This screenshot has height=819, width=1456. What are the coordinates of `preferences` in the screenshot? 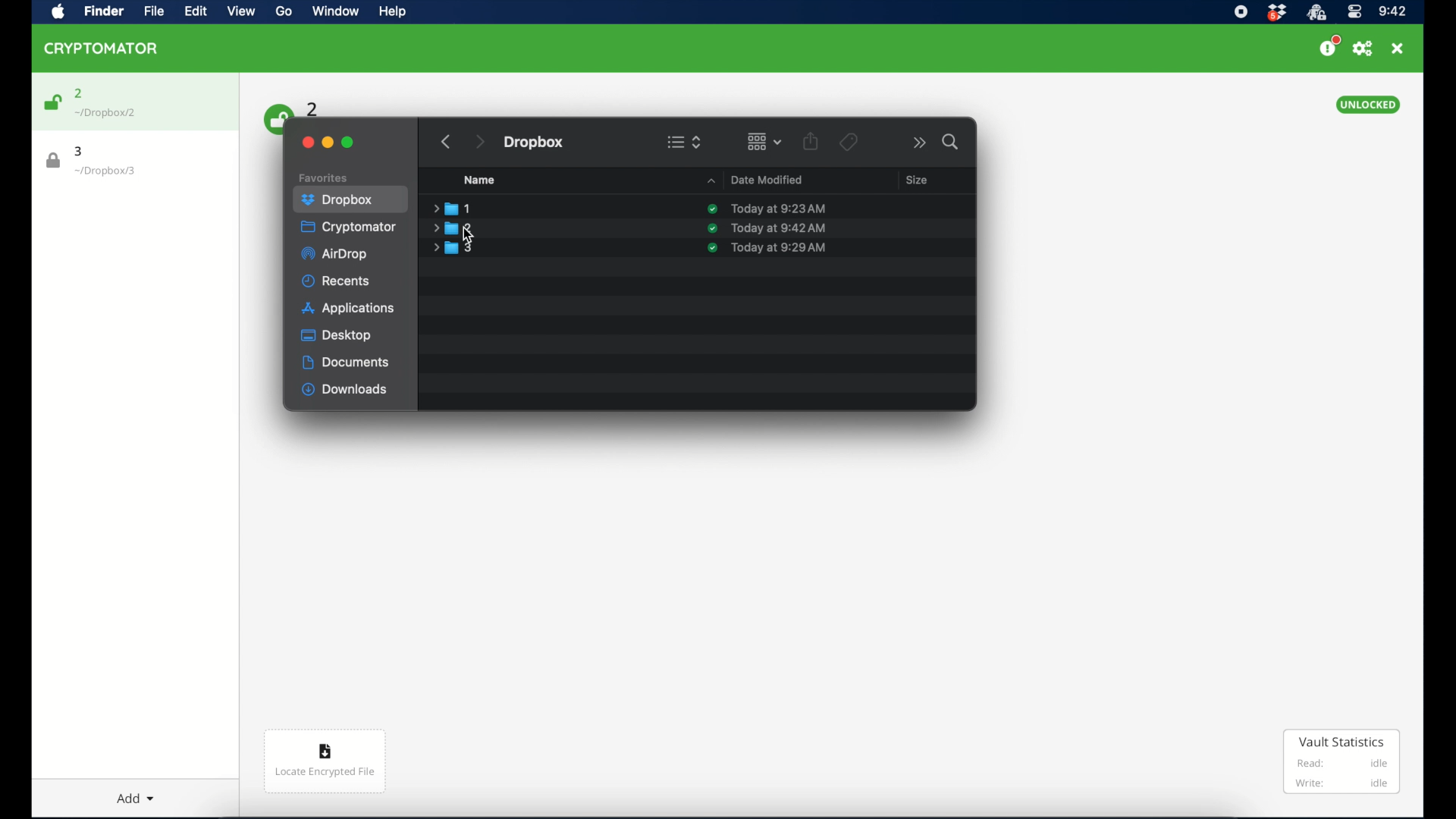 It's located at (1363, 49).